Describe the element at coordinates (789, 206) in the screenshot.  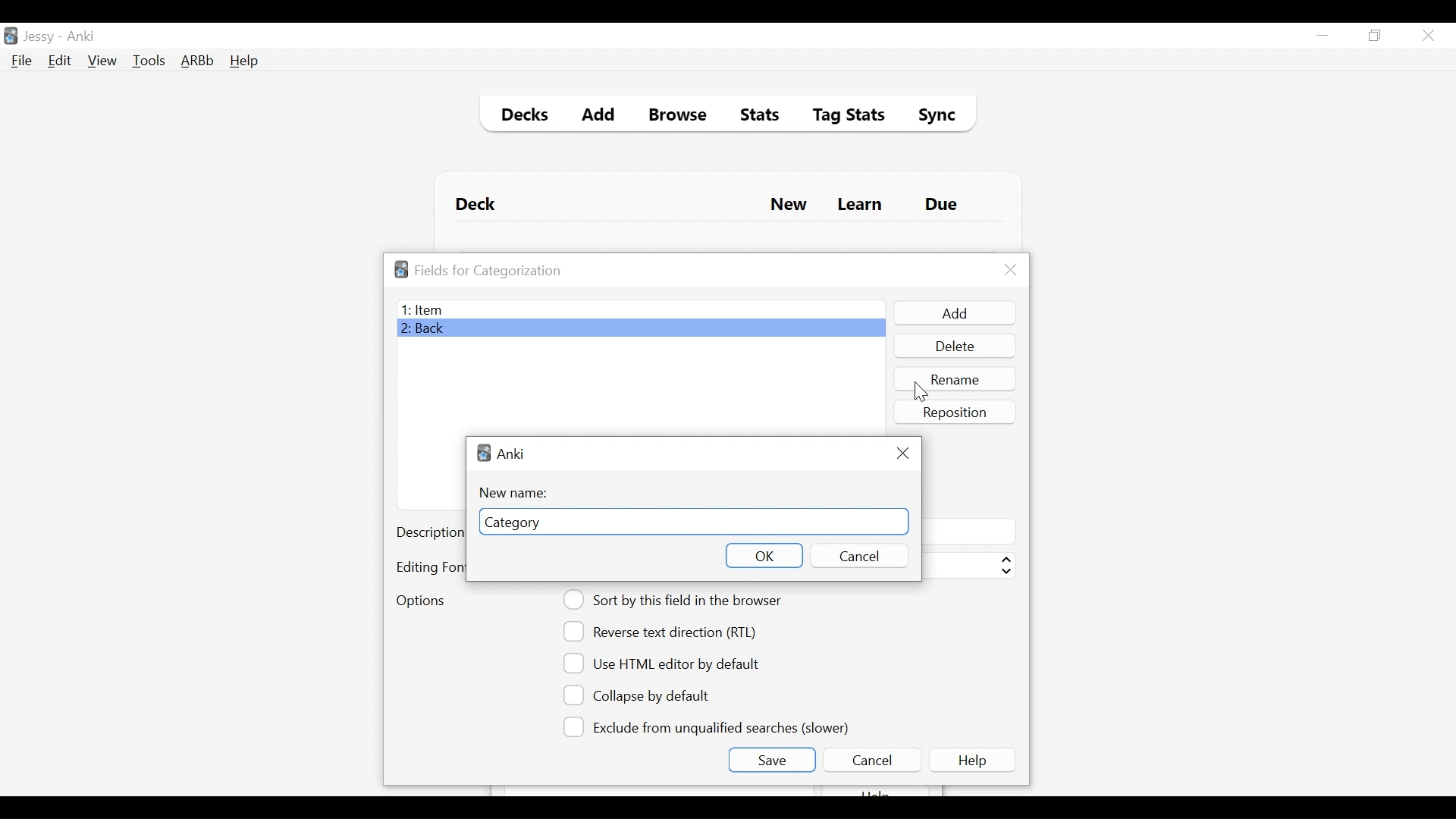
I see `New` at that location.